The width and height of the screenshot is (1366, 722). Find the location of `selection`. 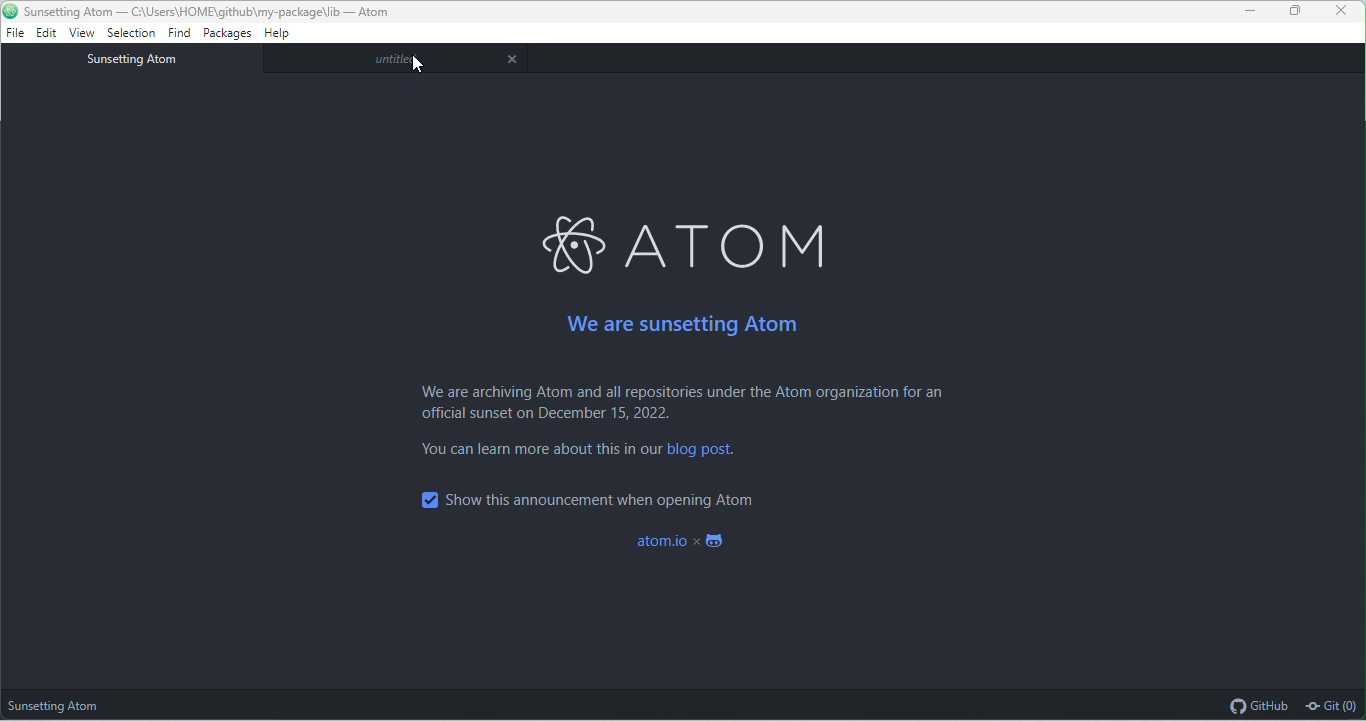

selection is located at coordinates (132, 34).